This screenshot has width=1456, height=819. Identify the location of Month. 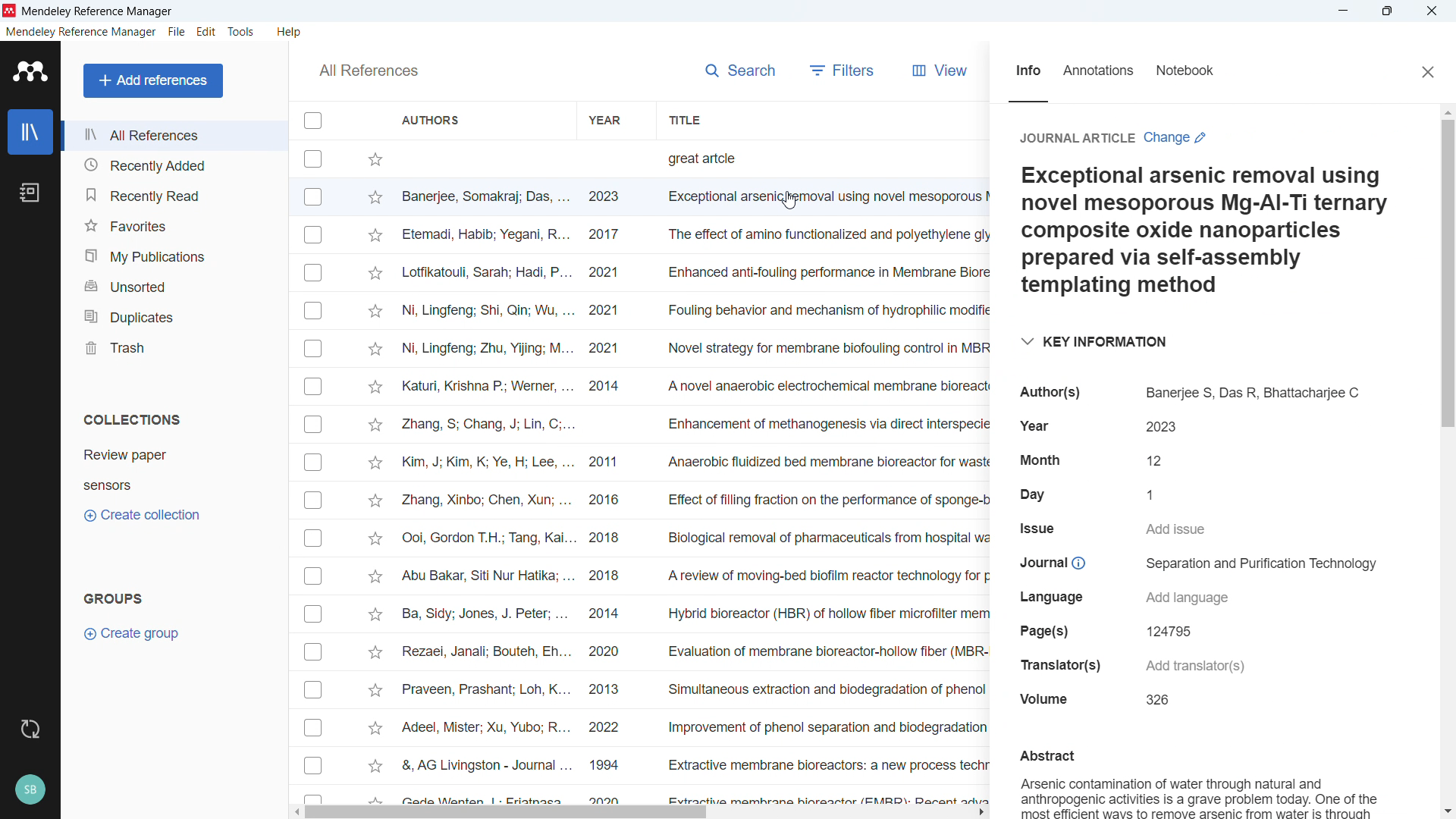
(1040, 460).